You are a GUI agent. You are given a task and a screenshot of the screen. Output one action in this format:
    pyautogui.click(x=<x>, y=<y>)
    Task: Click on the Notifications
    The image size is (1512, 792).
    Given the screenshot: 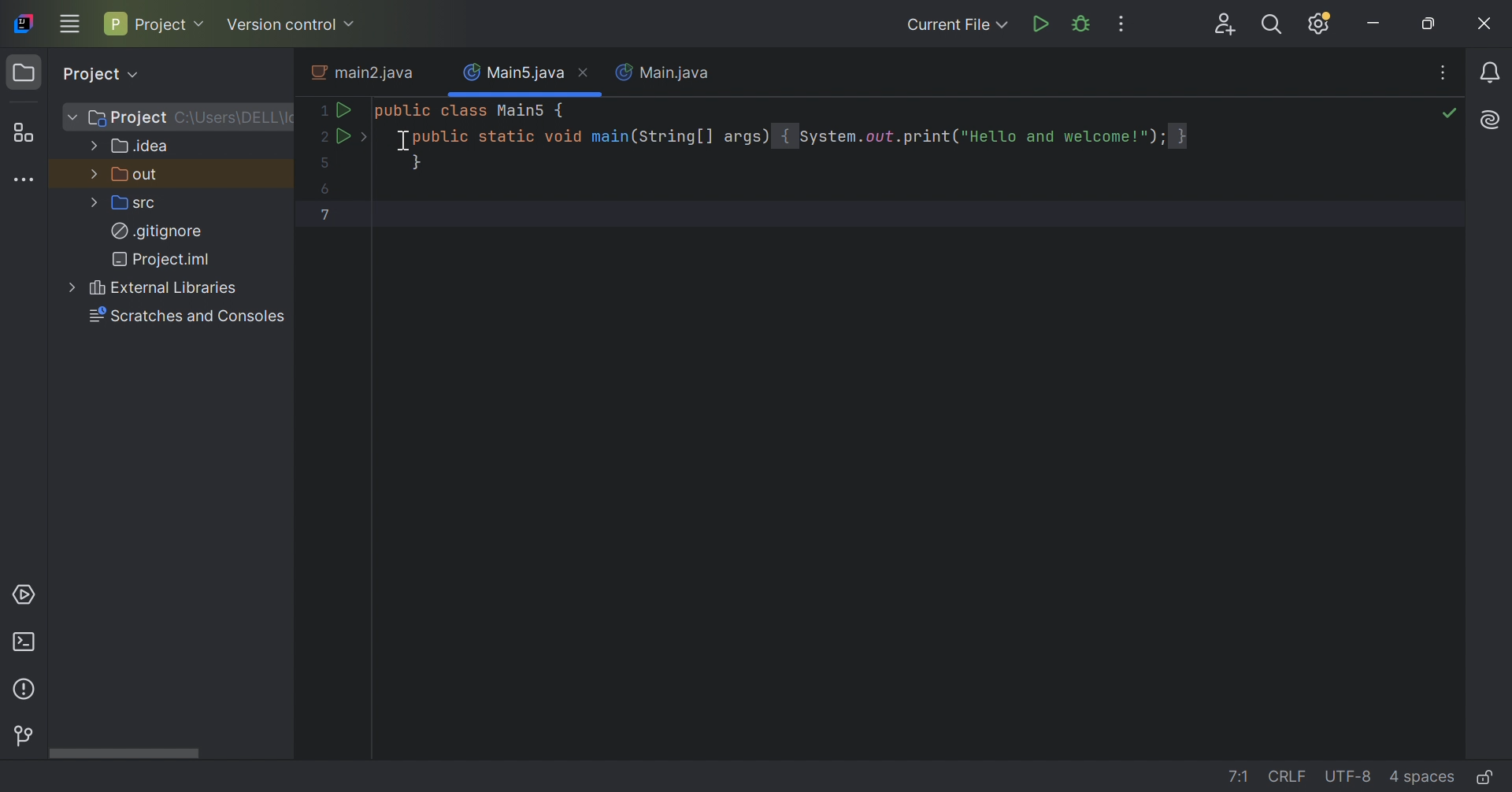 What is the action you would take?
    pyautogui.click(x=1492, y=72)
    